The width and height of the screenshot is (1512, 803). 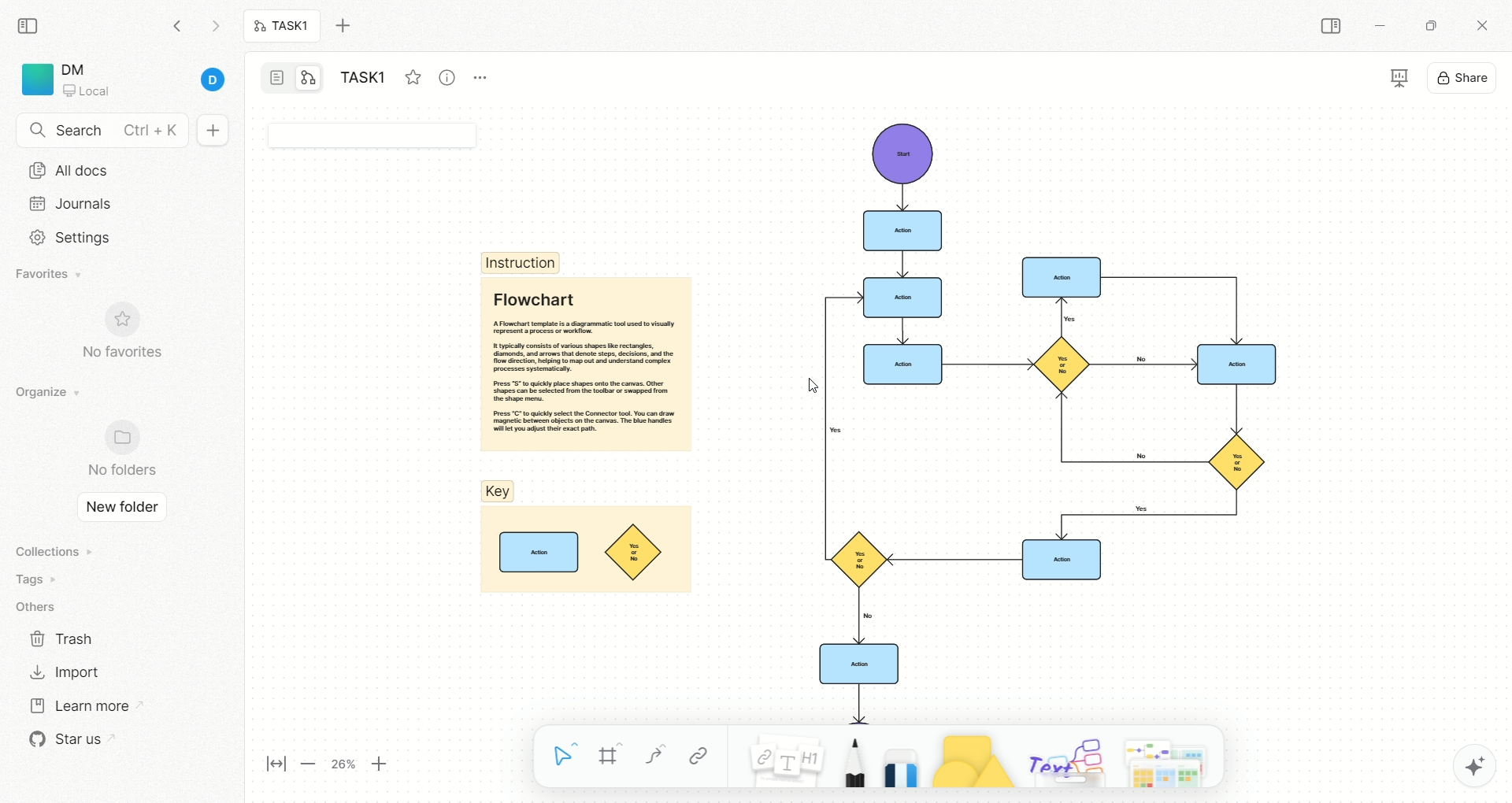 I want to click on star us, so click(x=67, y=739).